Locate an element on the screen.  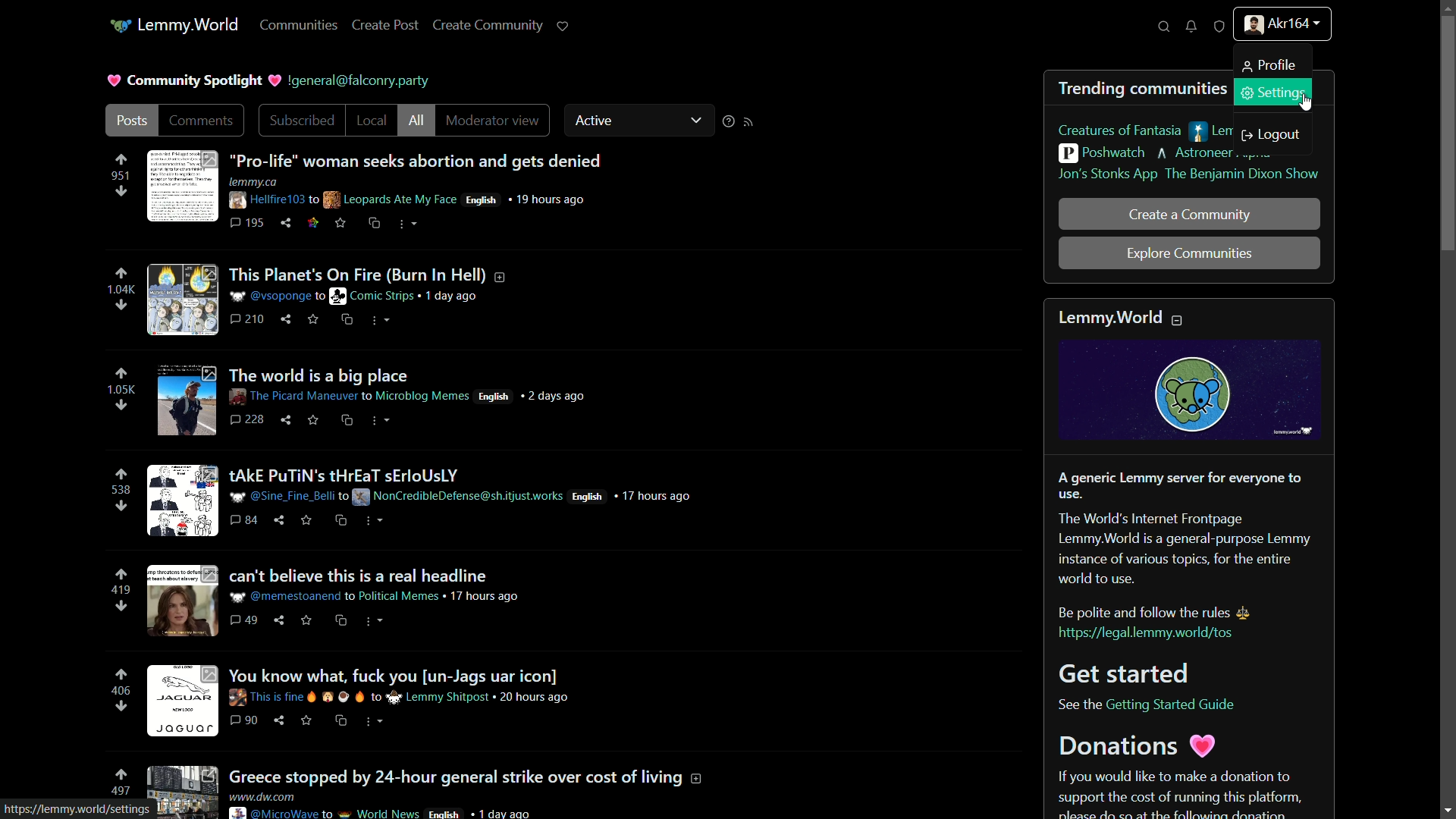
active is located at coordinates (640, 119).